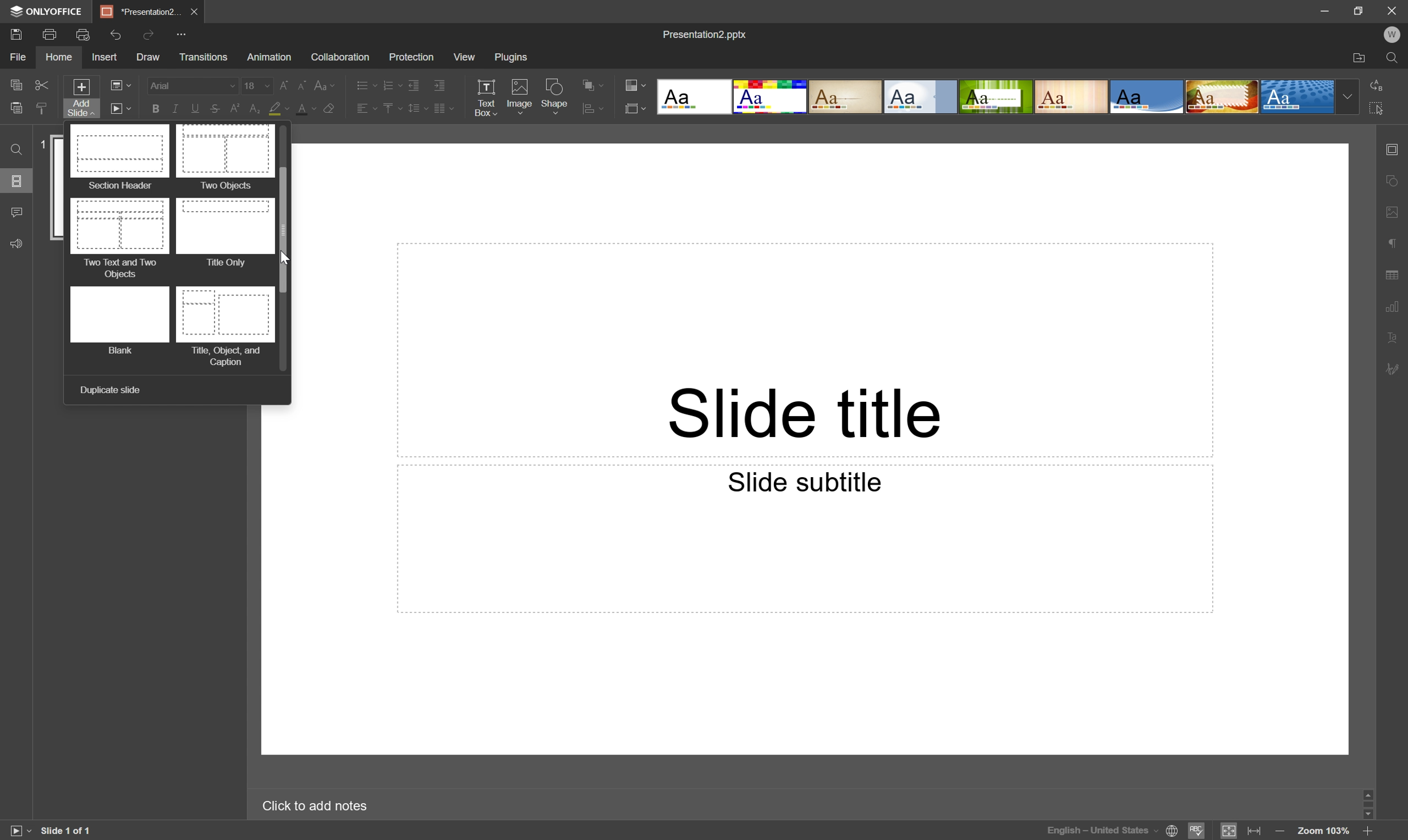 The height and width of the screenshot is (840, 1408). Describe the element at coordinates (191, 85) in the screenshot. I see `Font` at that location.